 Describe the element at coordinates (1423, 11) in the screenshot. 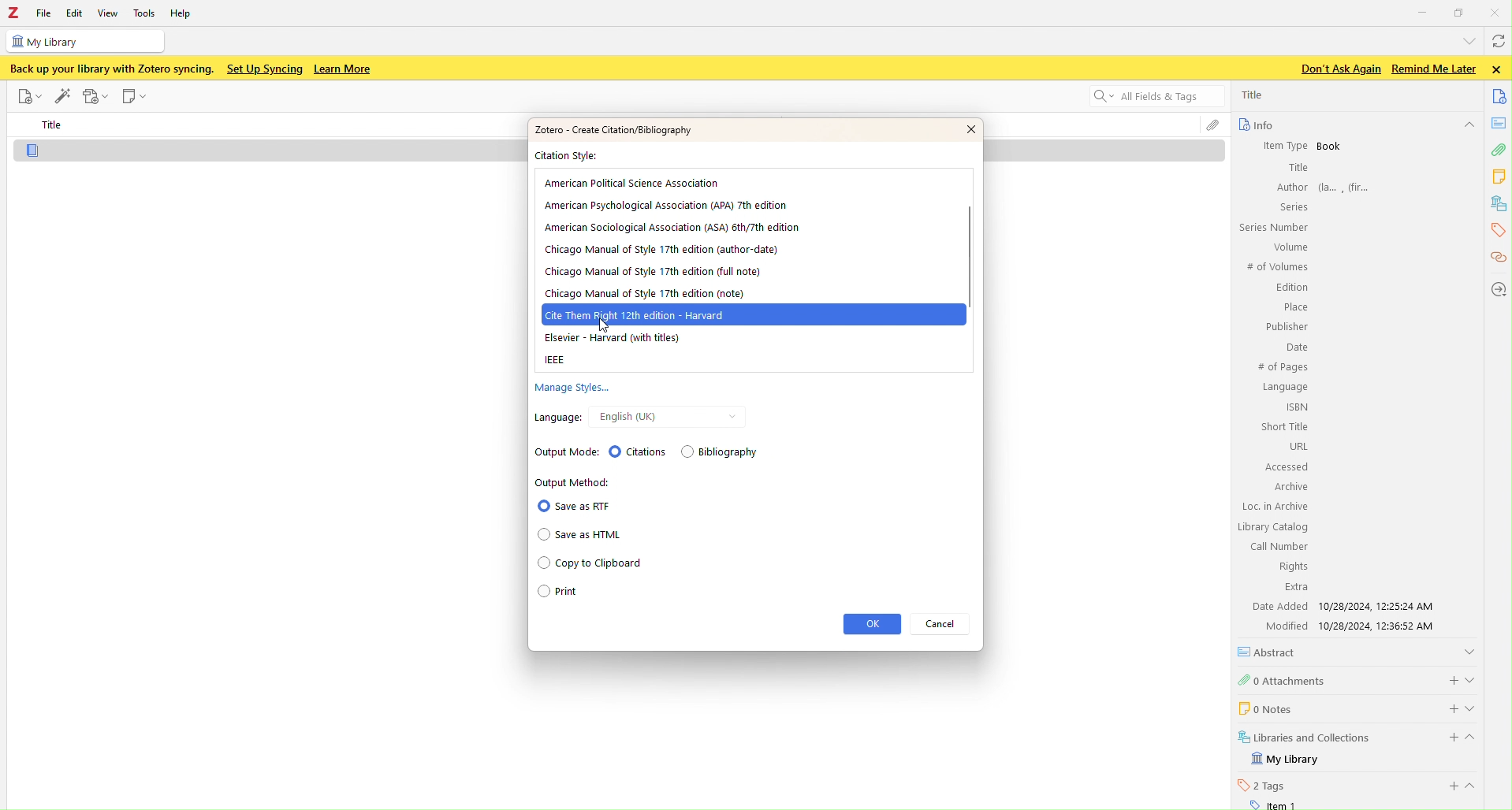

I see `Minimize` at that location.